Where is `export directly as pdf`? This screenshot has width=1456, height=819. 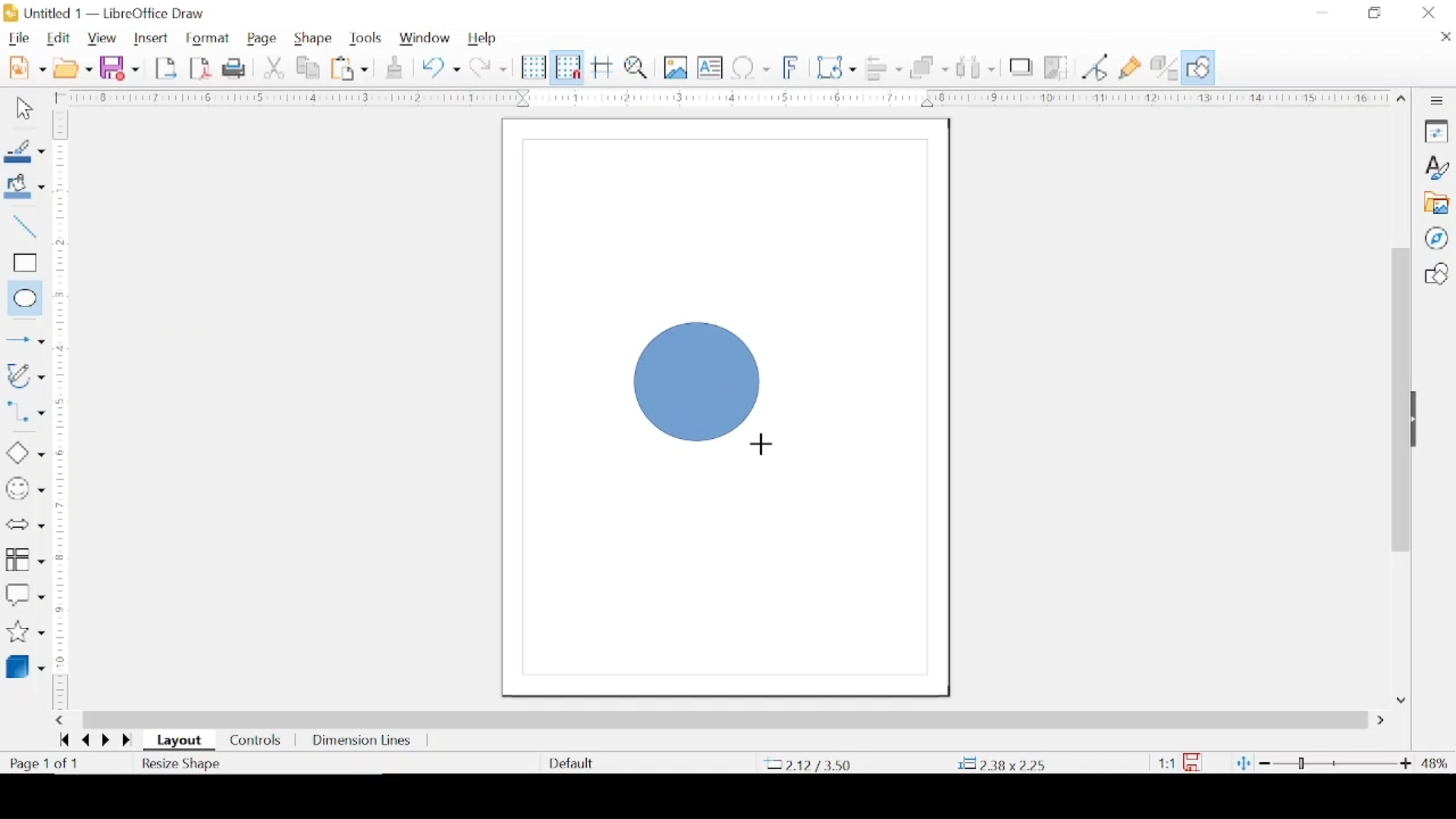 export directly as pdf is located at coordinates (201, 68).